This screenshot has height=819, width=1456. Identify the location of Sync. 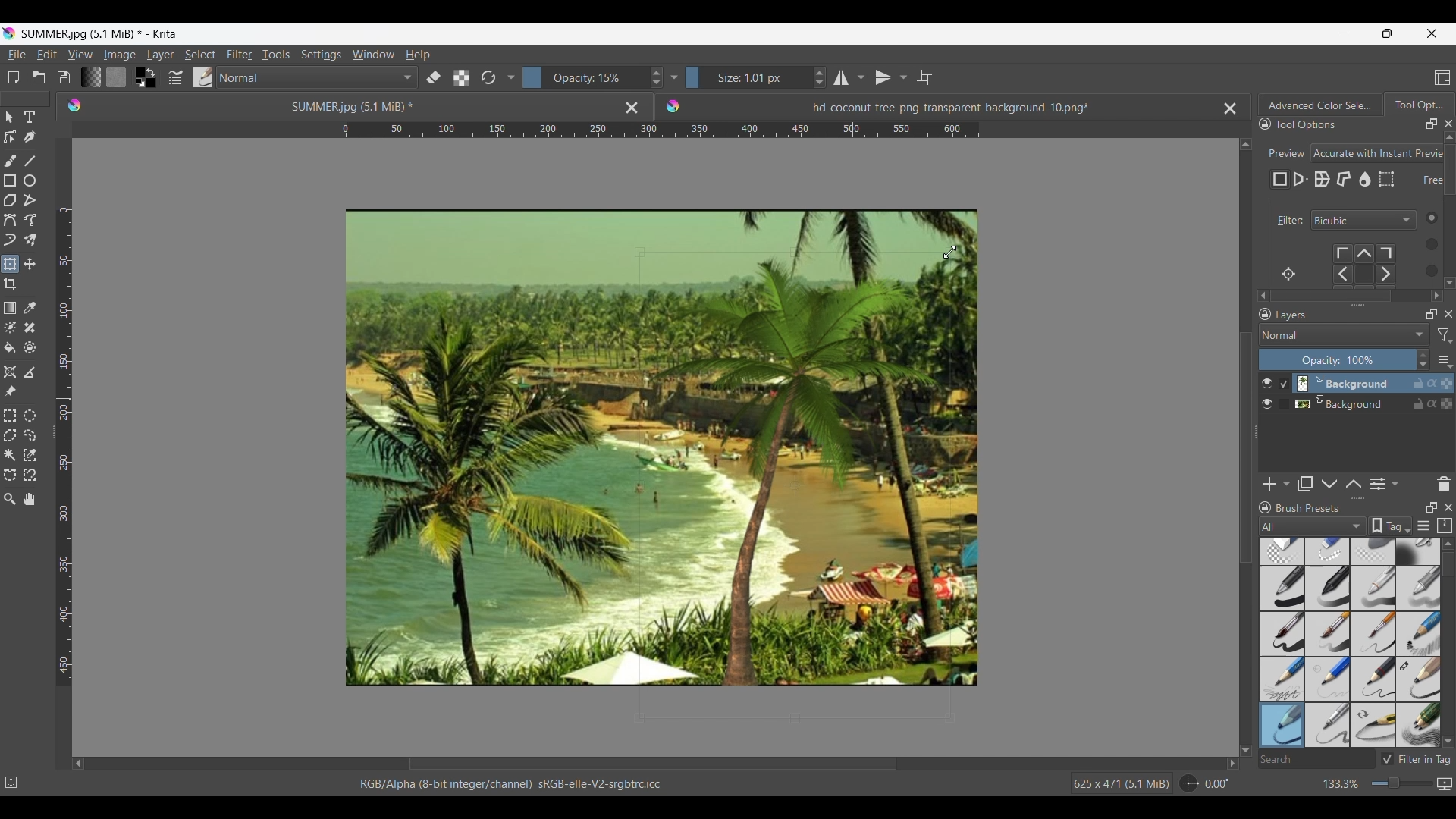
(1432, 400).